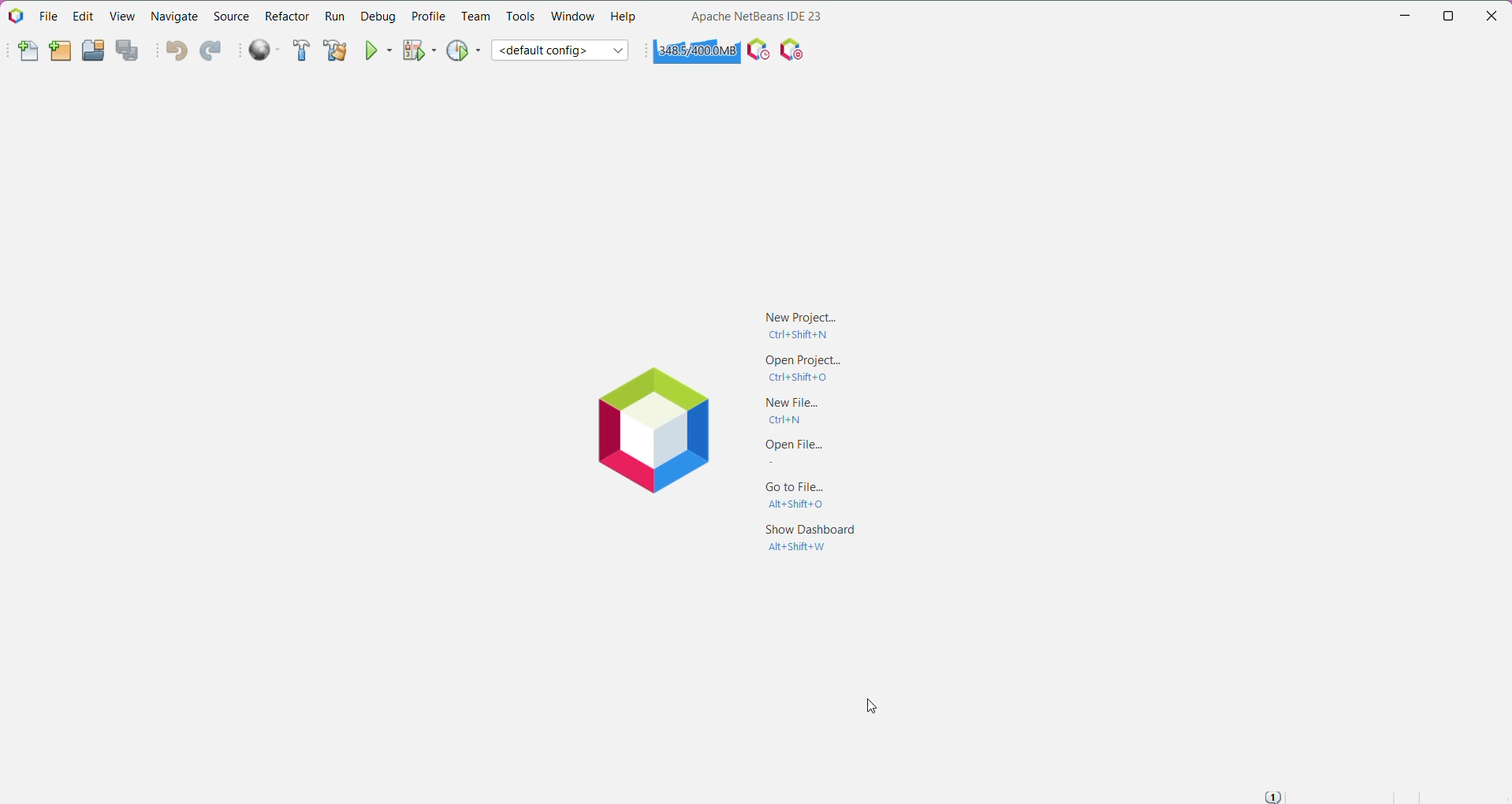 This screenshot has height=804, width=1512. What do you see at coordinates (758, 50) in the screenshot?
I see `Profile the IDE` at bounding box center [758, 50].